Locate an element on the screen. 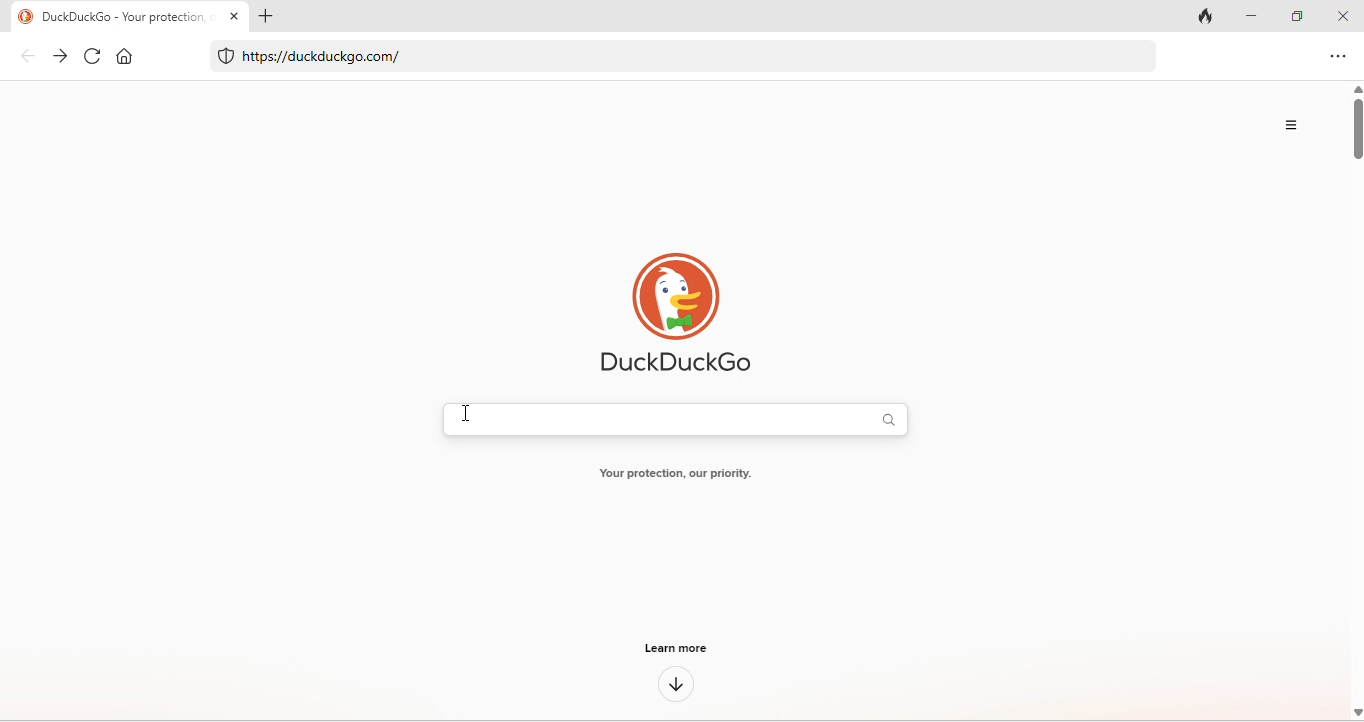  close is located at coordinates (1345, 13).